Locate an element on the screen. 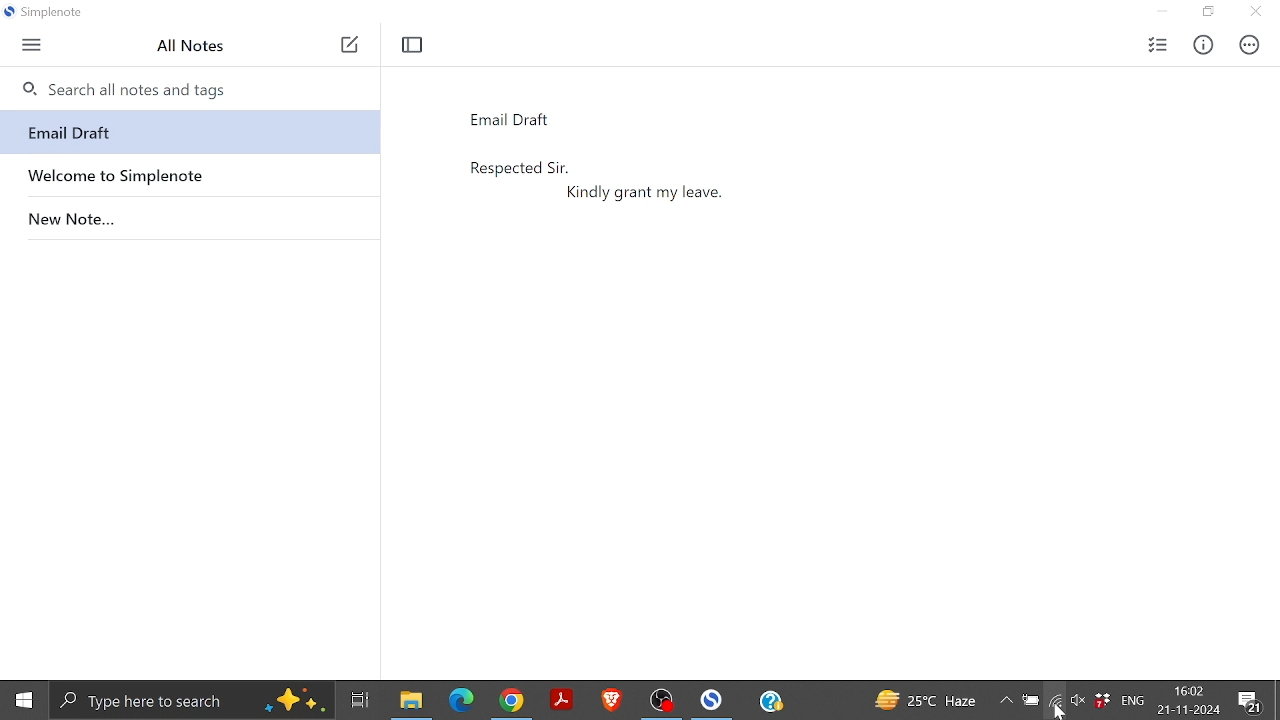 The width and height of the screenshot is (1280, 720). help is located at coordinates (771, 701).